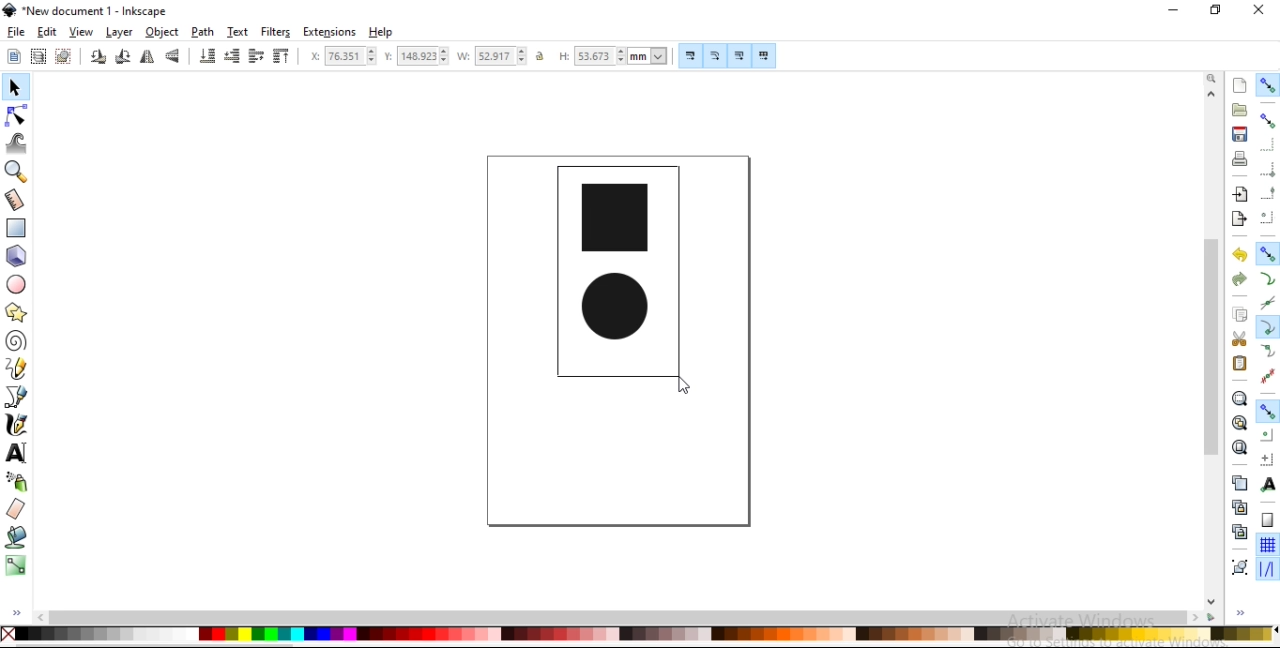 The image size is (1280, 648). What do you see at coordinates (18, 312) in the screenshot?
I see `create stars and polygons` at bounding box center [18, 312].